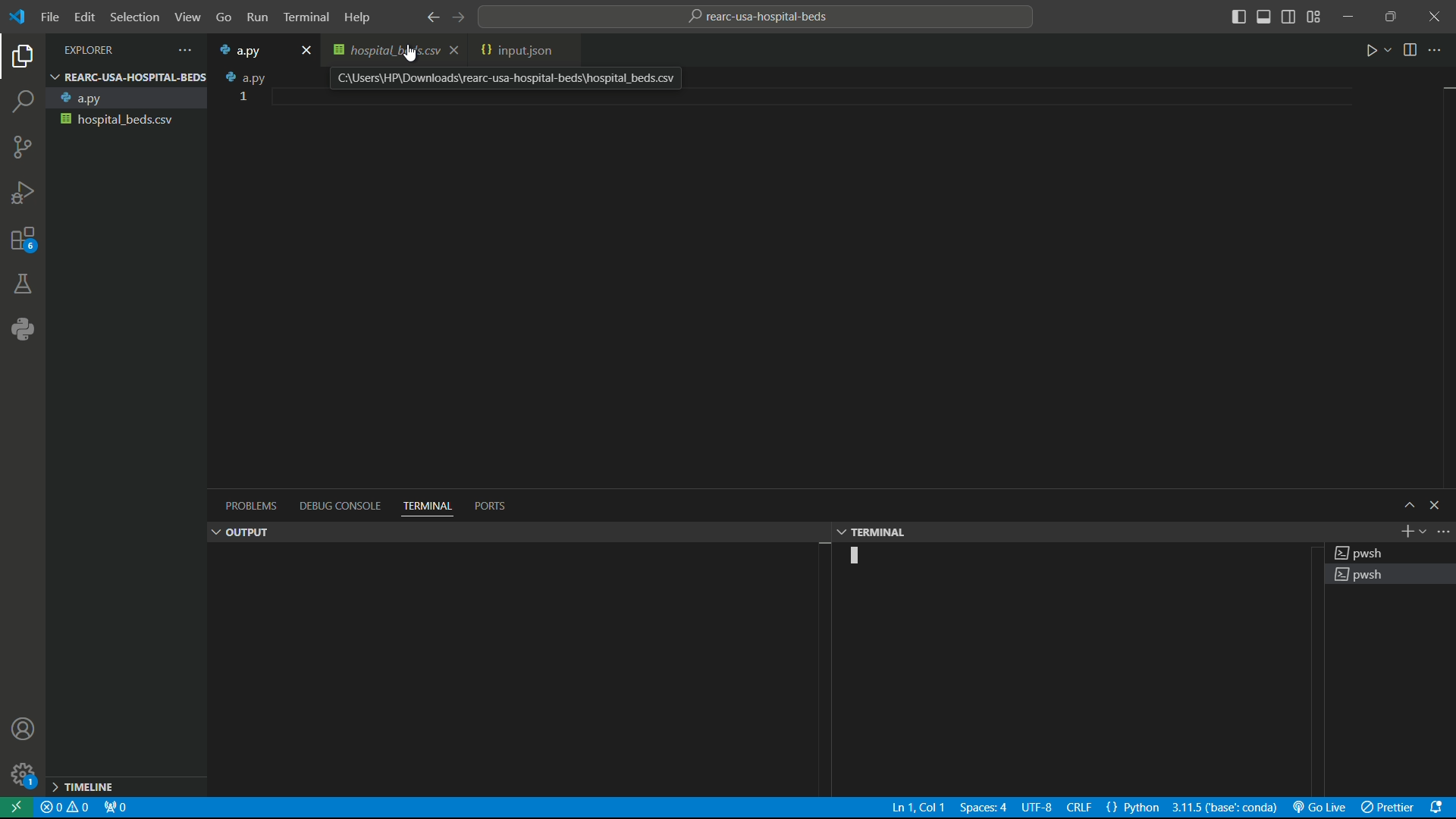  Describe the element at coordinates (188, 49) in the screenshot. I see `views and more actions` at that location.